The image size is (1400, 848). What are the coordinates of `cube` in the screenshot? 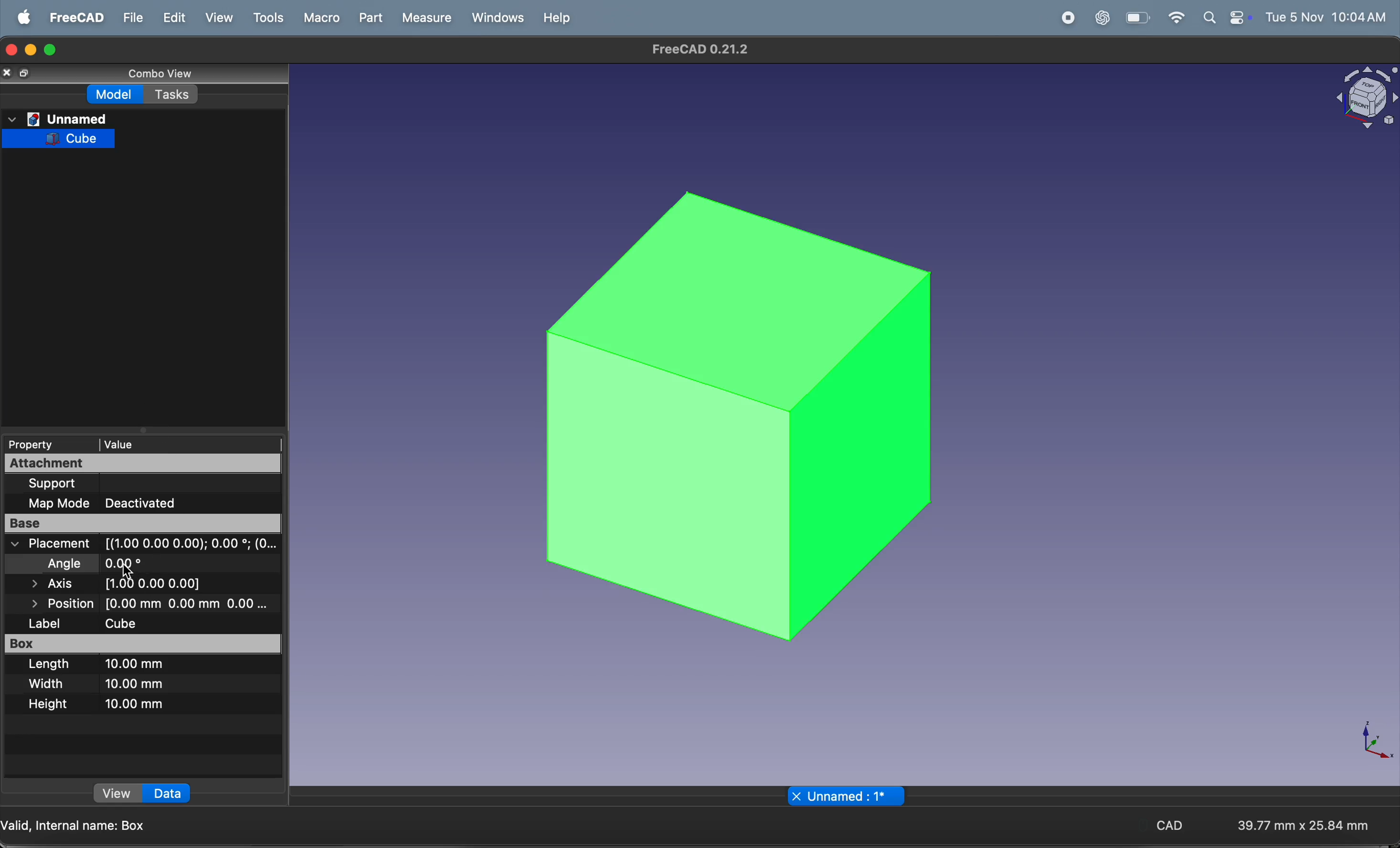 It's located at (186, 624).